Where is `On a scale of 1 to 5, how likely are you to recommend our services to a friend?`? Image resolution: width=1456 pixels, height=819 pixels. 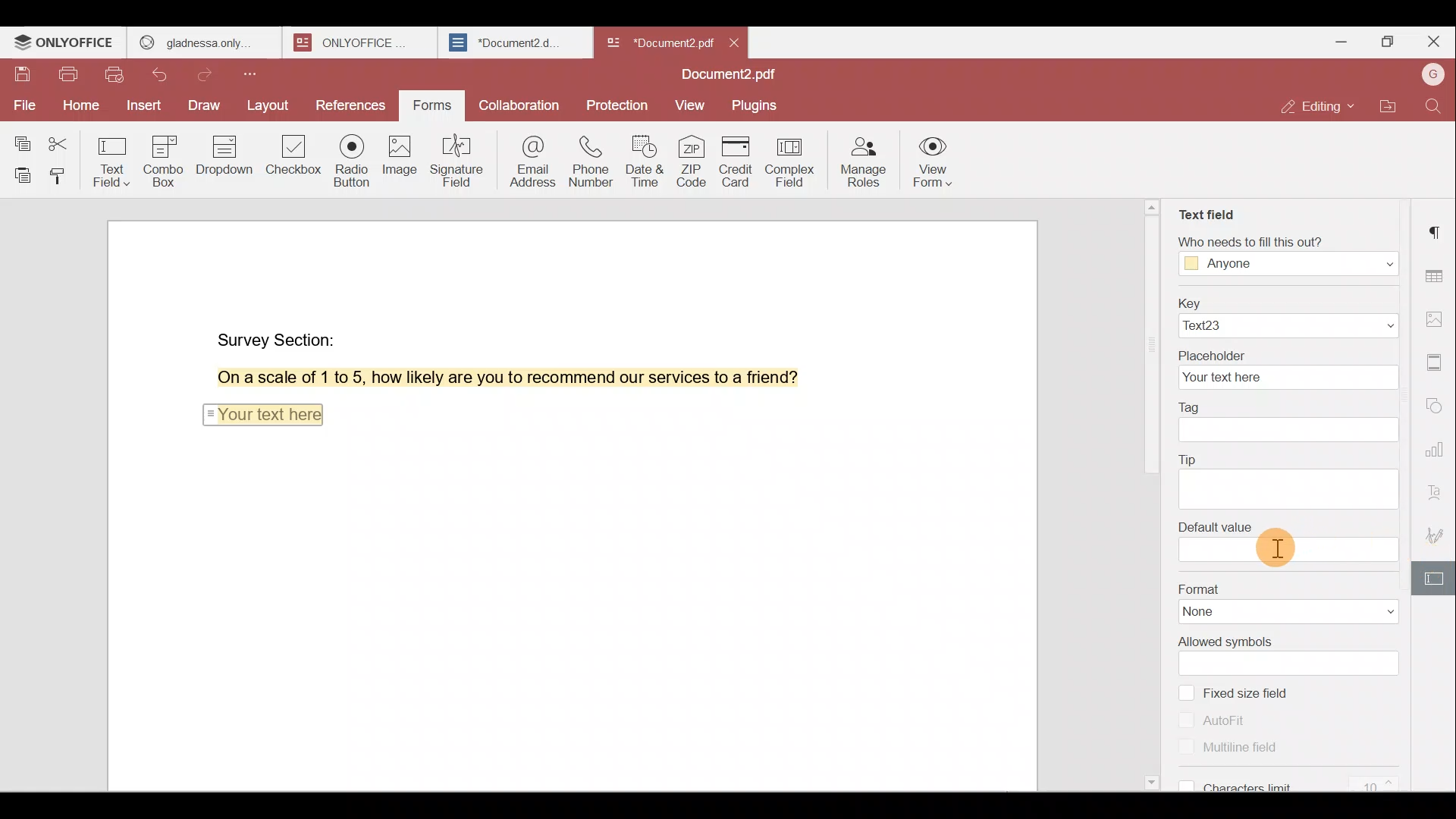 On a scale of 1 to 5, how likely are you to recommend our services to a friend? is located at coordinates (491, 378).